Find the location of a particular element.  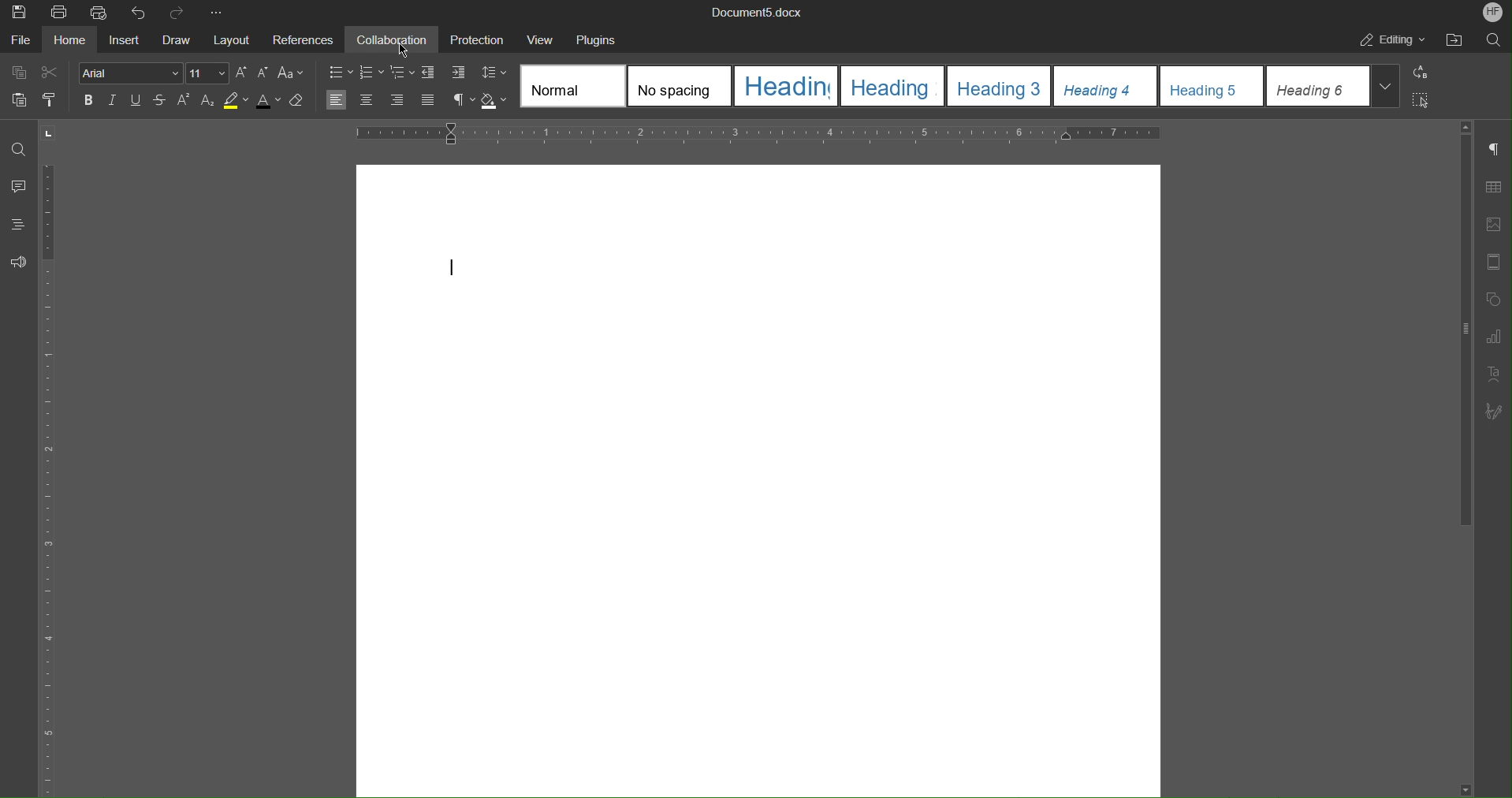

Text Case Settings is located at coordinates (291, 73).